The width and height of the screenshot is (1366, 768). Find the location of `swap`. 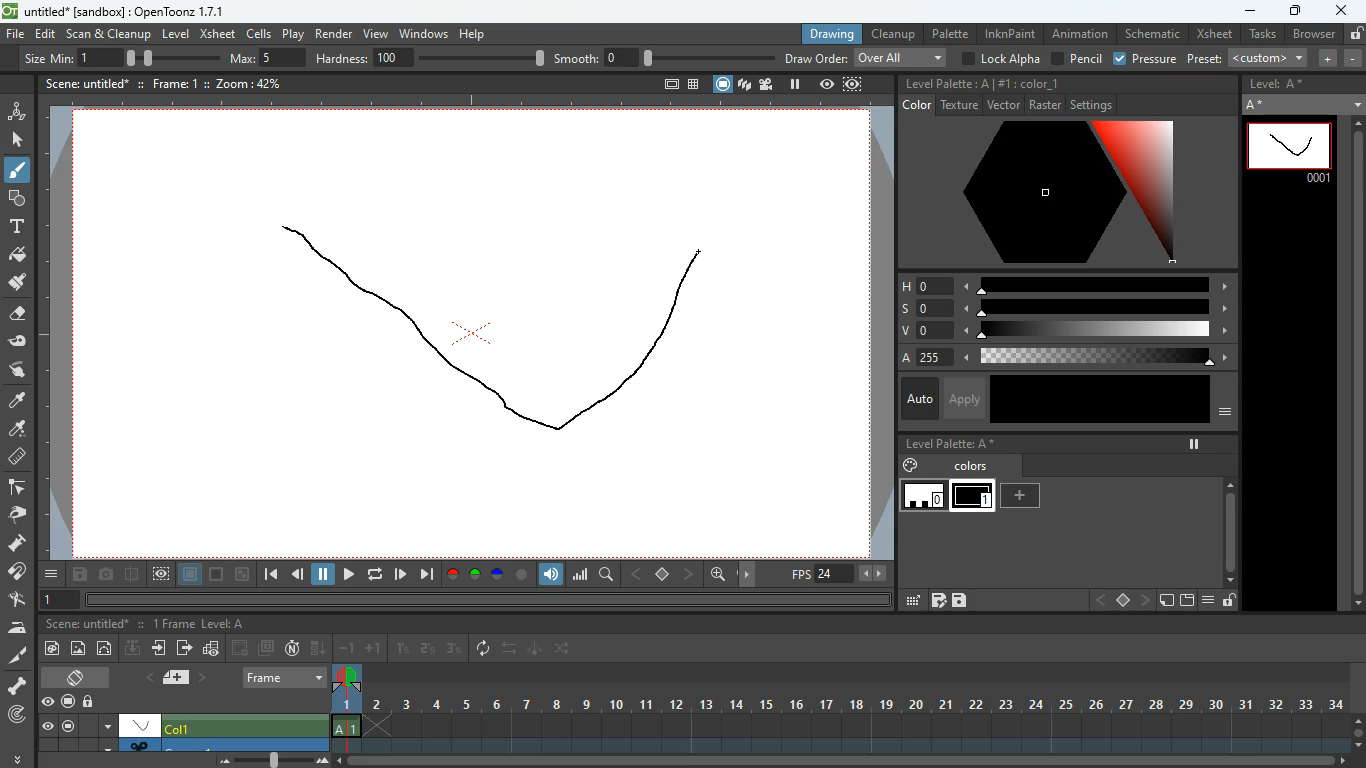

swap is located at coordinates (564, 648).